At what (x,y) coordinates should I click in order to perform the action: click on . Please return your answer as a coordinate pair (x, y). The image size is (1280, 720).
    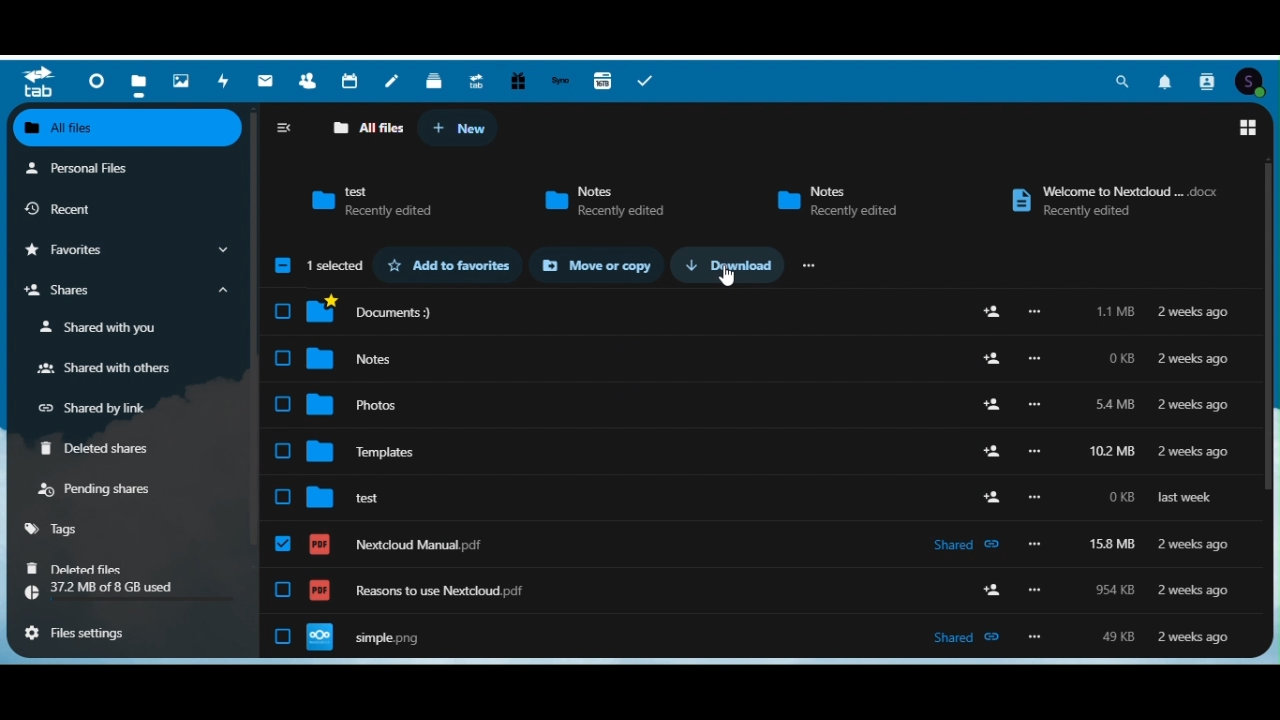
    Looking at the image, I should click on (34, 80).